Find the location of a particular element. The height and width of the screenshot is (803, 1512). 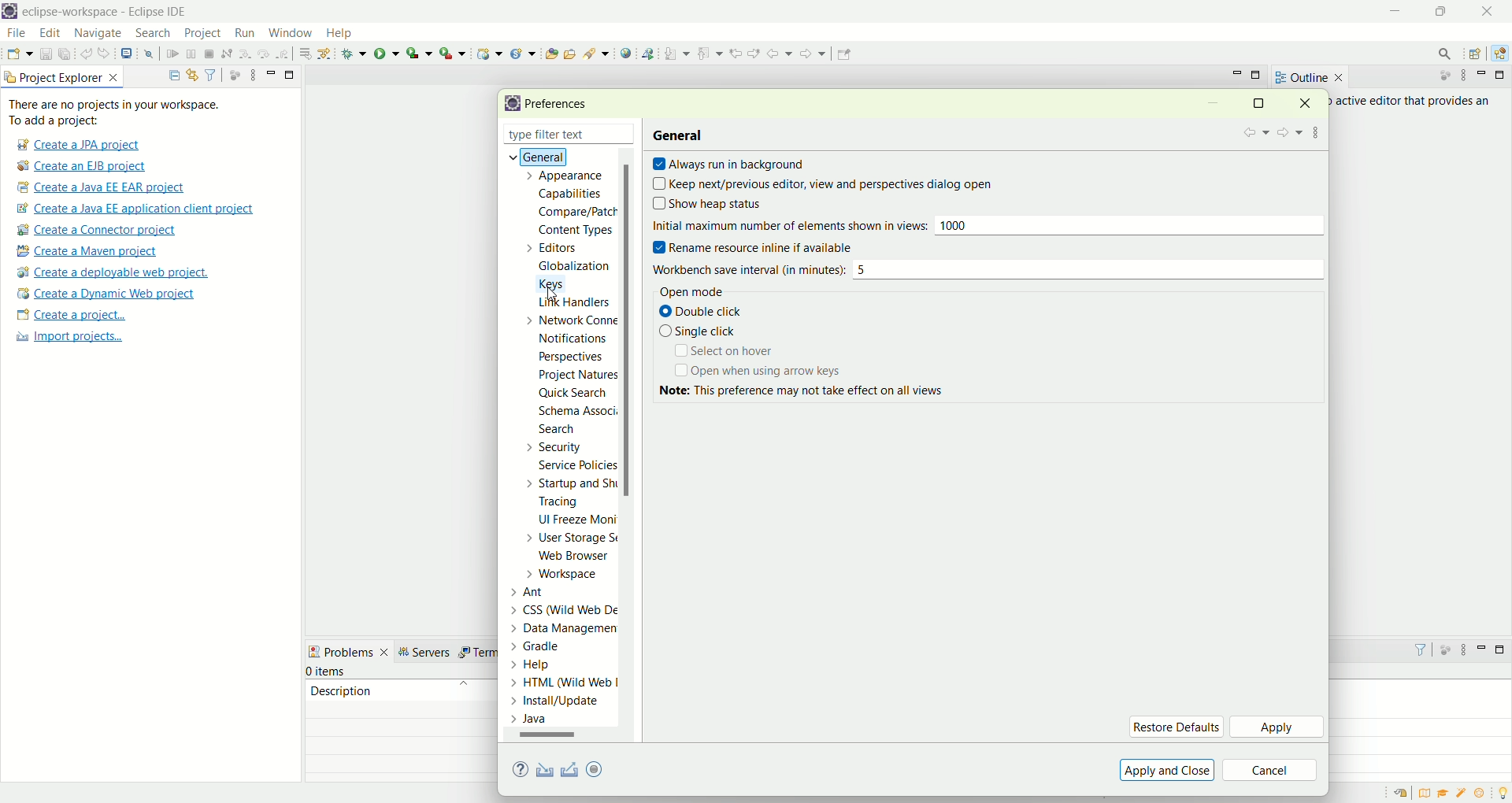

edit is located at coordinates (48, 34).